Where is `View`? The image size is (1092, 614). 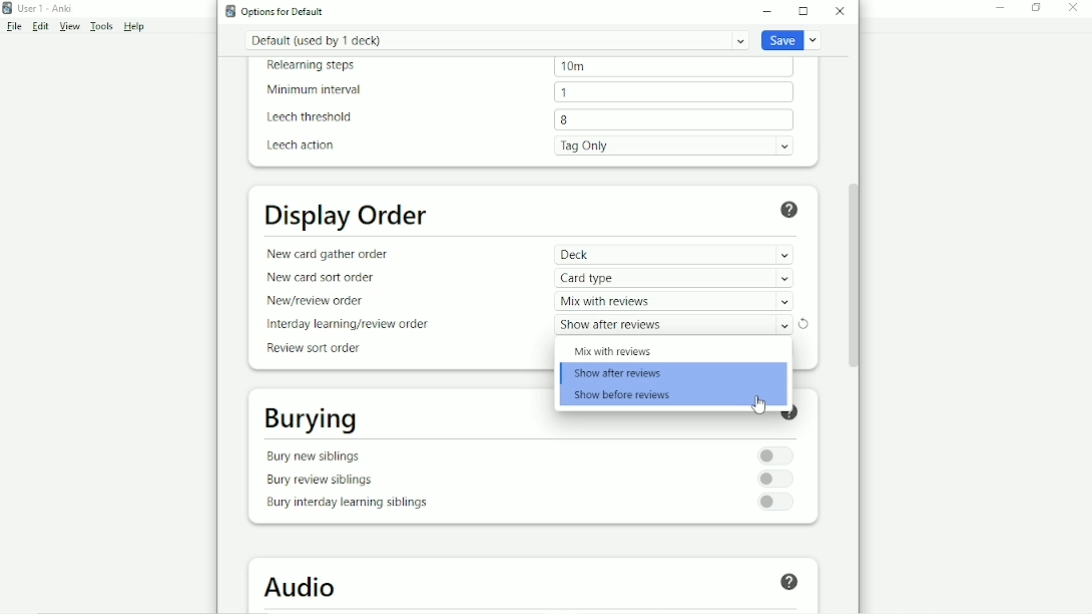 View is located at coordinates (69, 27).